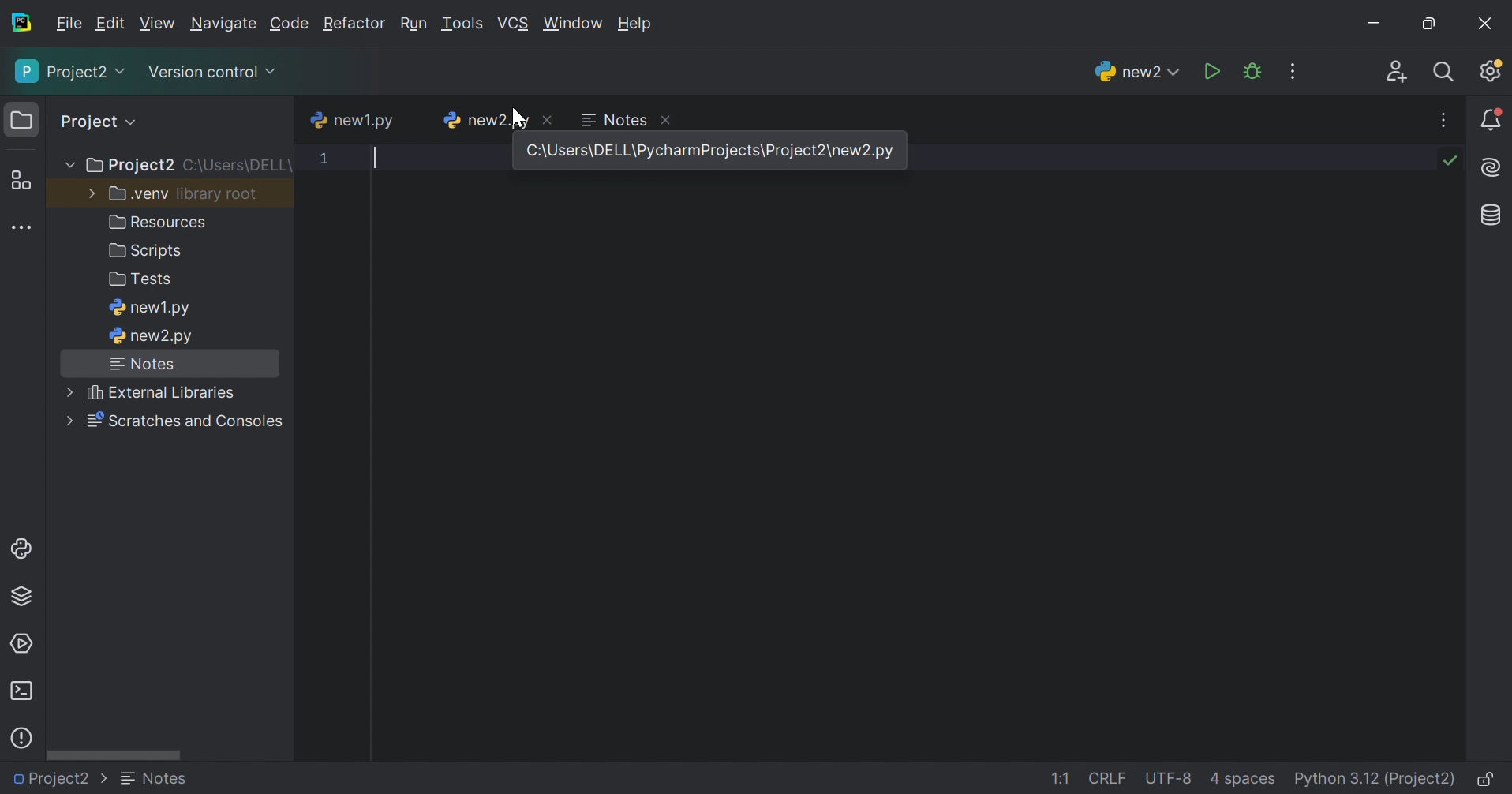  What do you see at coordinates (352, 122) in the screenshot?
I see `new1.py` at bounding box center [352, 122].